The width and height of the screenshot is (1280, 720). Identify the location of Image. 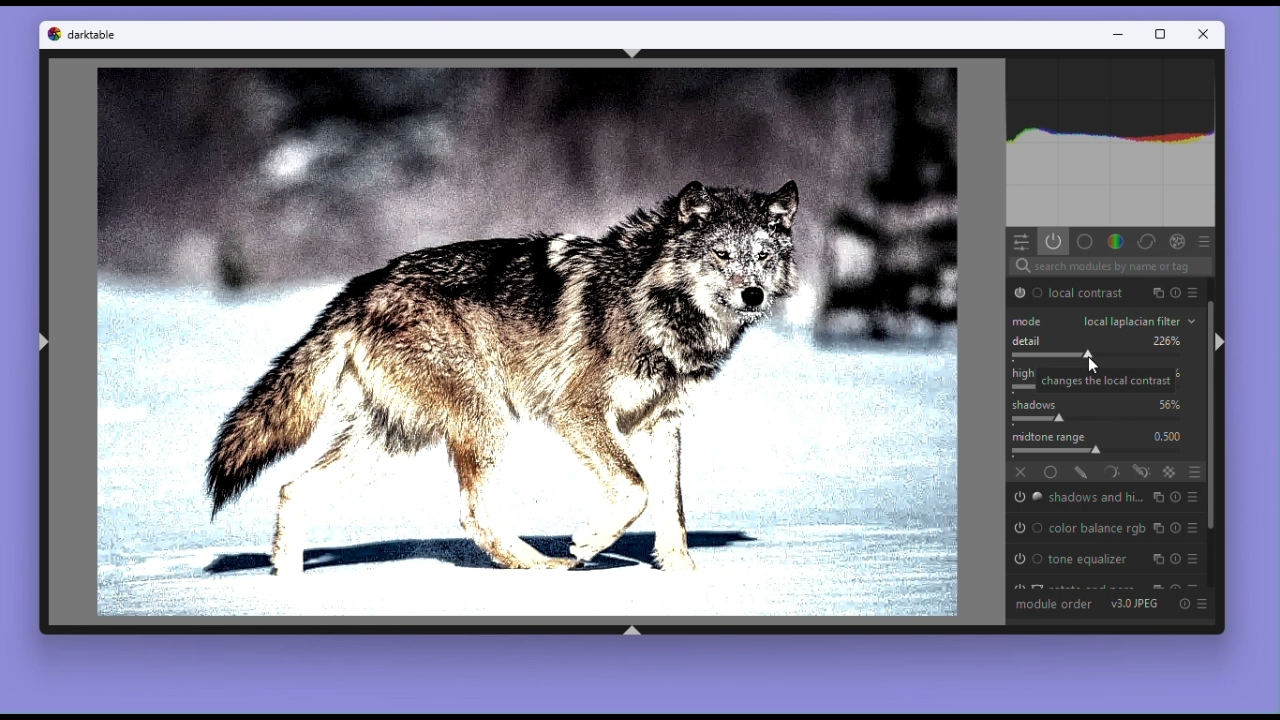
(528, 341).